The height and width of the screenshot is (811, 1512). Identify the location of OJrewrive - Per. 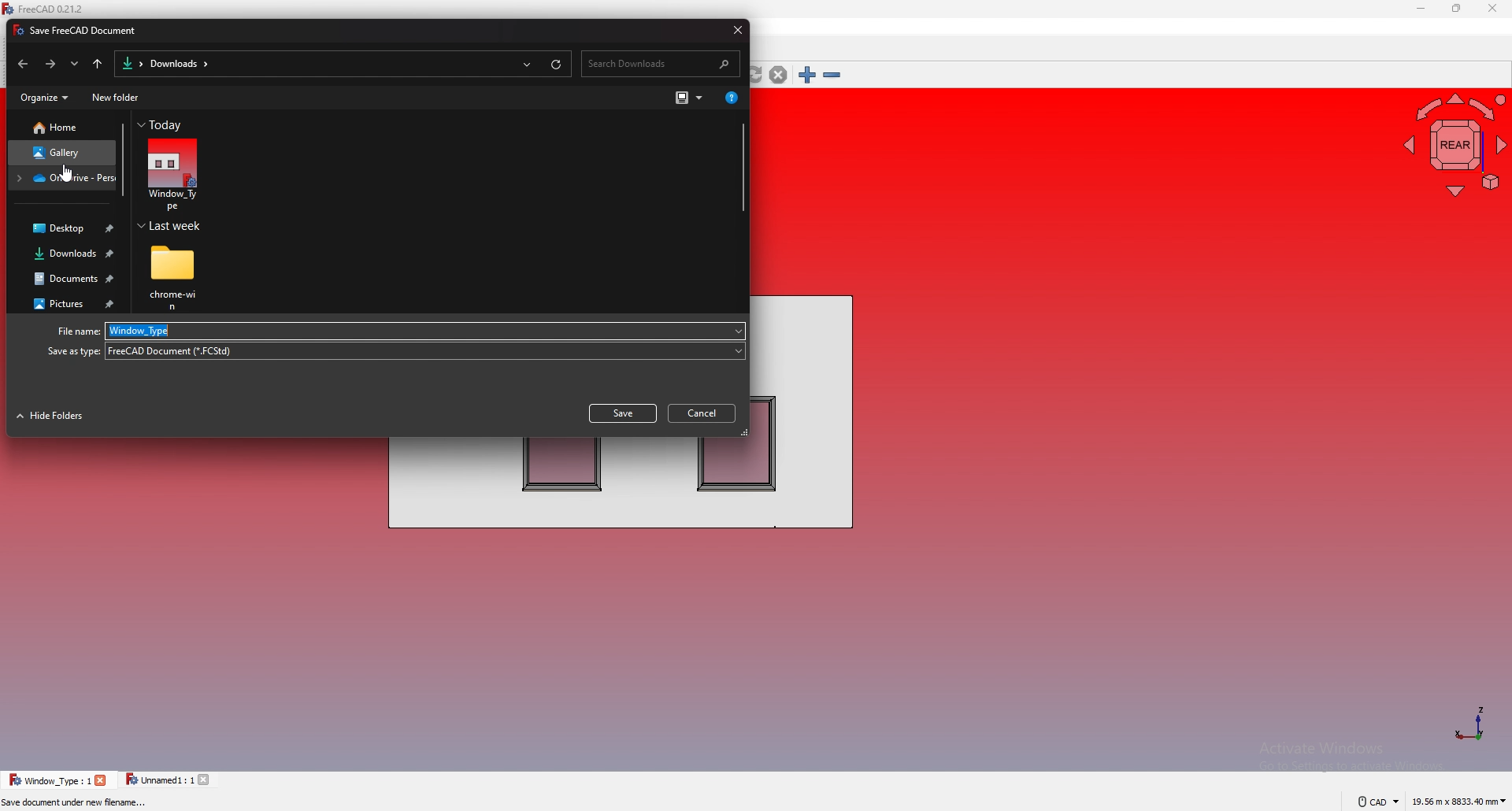
(63, 178).